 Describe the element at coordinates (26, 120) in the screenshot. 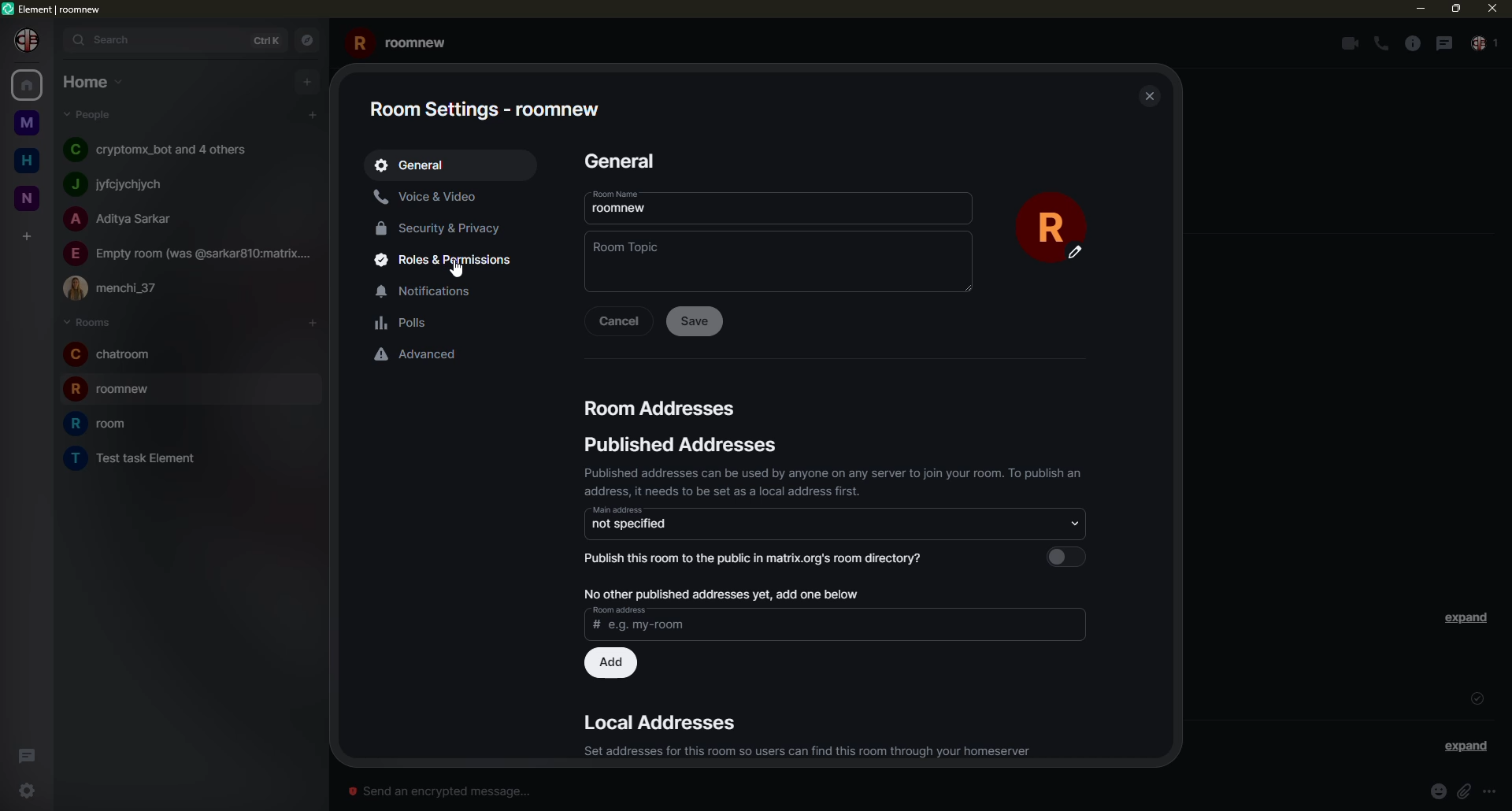

I see `space` at that location.